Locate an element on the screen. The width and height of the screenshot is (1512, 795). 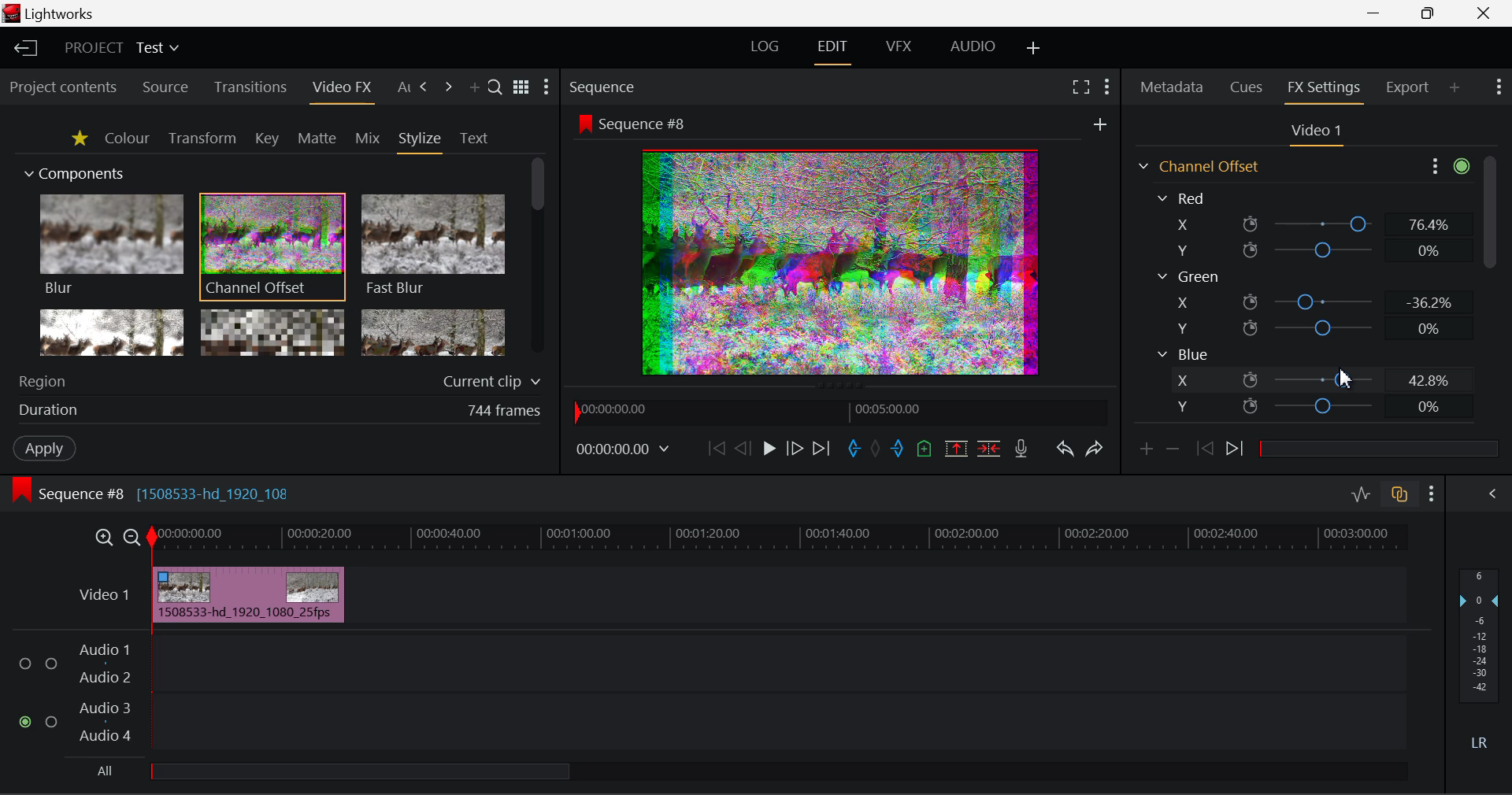
Go Back is located at coordinates (741, 449).